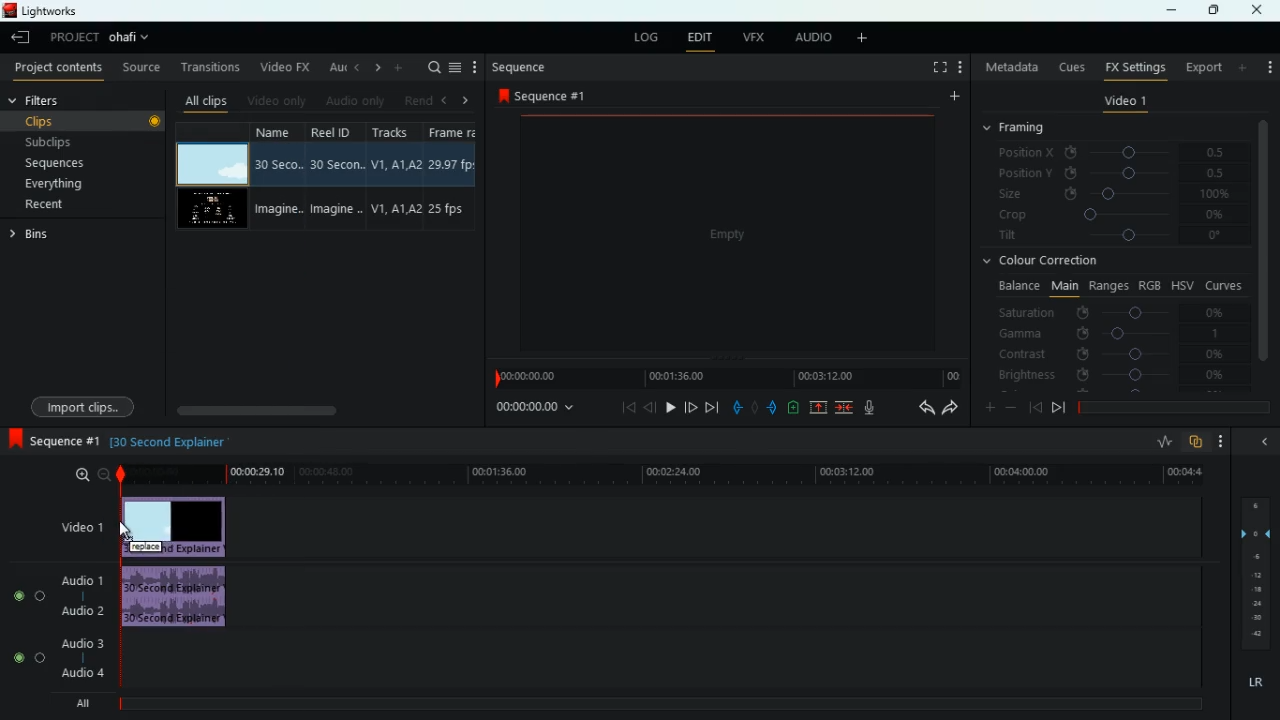 The width and height of the screenshot is (1280, 720). Describe the element at coordinates (390, 177) in the screenshot. I see `tracks` at that location.